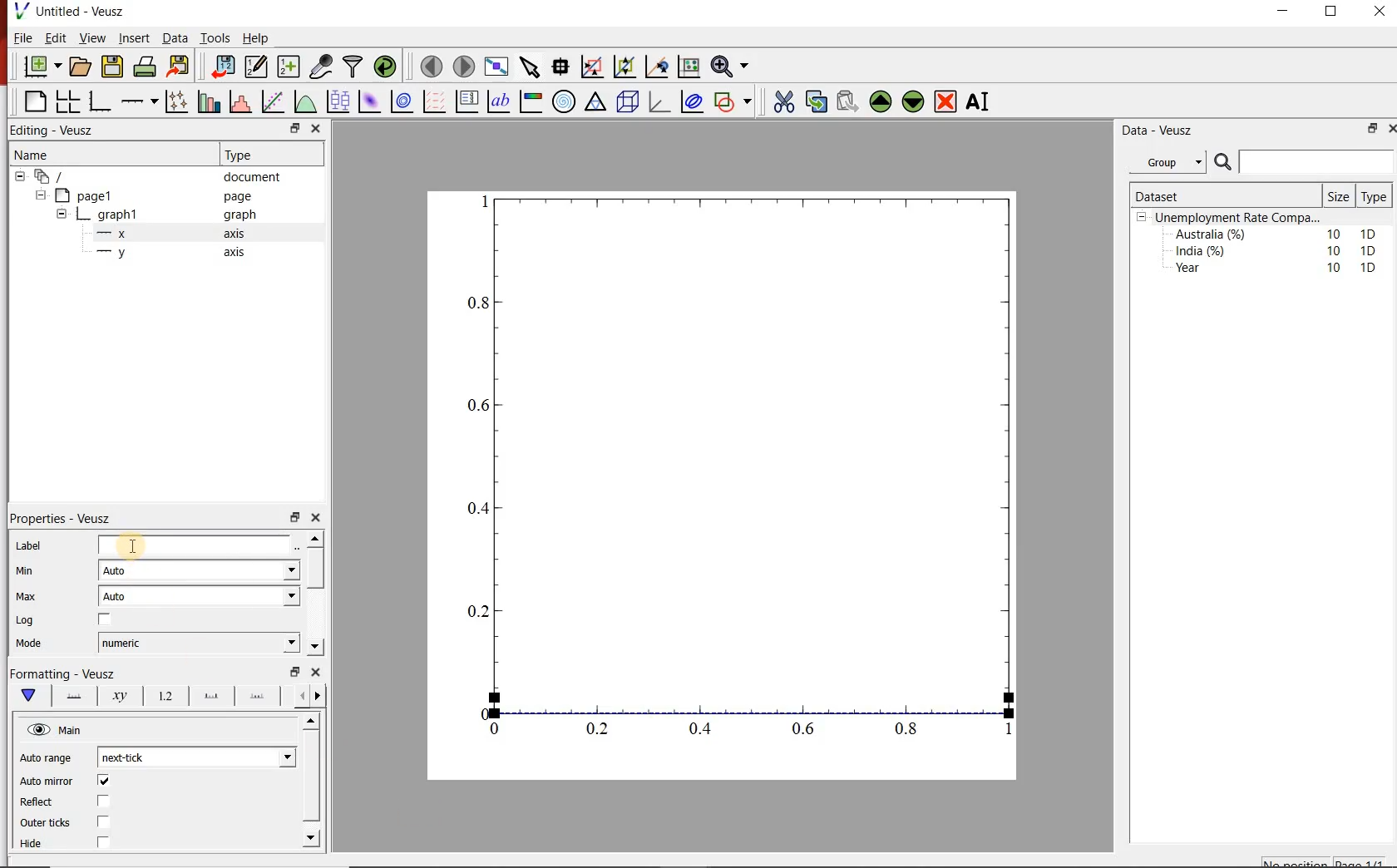 Image resolution: width=1397 pixels, height=868 pixels. Describe the element at coordinates (178, 233) in the screenshot. I see `x axis` at that location.